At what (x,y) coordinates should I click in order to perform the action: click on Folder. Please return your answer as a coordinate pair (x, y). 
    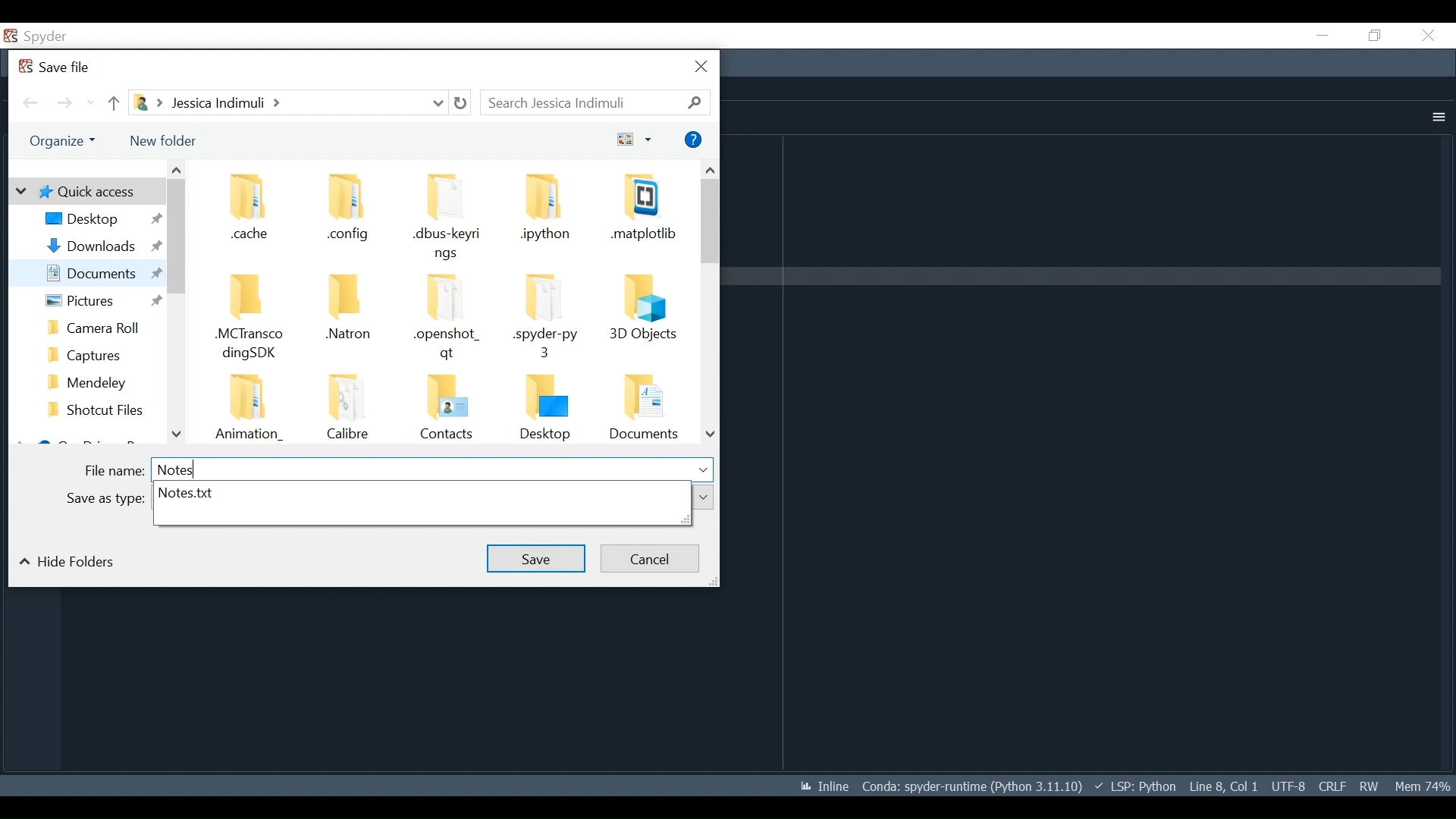
    Looking at the image, I should click on (547, 408).